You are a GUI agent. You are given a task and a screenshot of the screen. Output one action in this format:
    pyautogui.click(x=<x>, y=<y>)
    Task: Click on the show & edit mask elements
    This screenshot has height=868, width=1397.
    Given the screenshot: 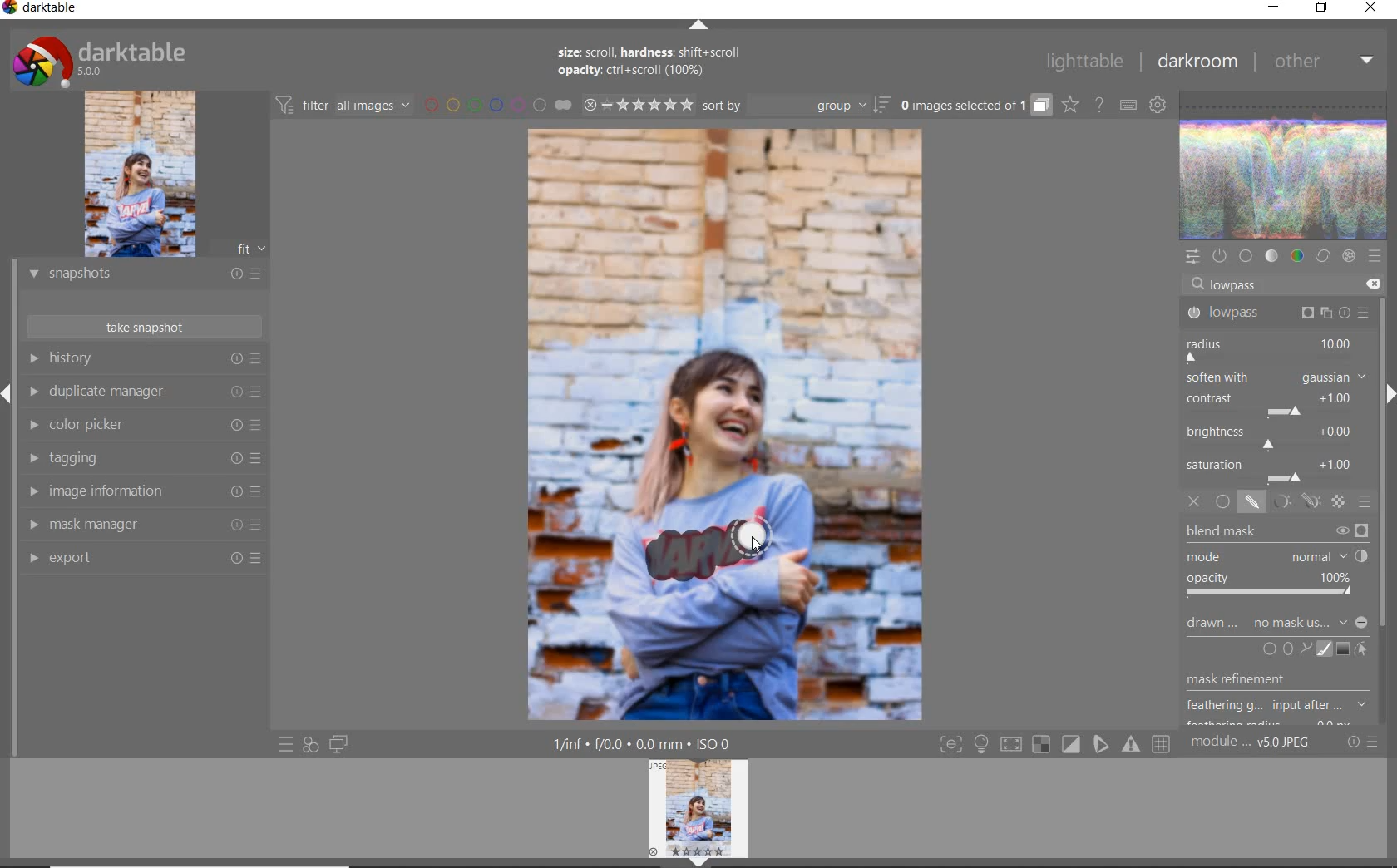 What is the action you would take?
    pyautogui.click(x=1362, y=650)
    